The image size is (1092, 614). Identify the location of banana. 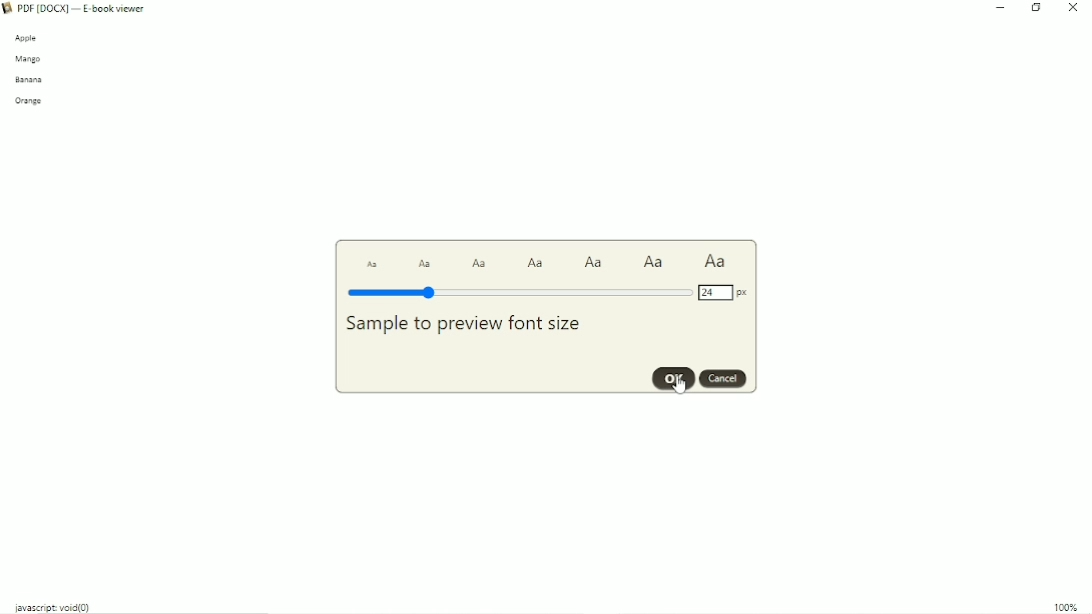
(30, 80).